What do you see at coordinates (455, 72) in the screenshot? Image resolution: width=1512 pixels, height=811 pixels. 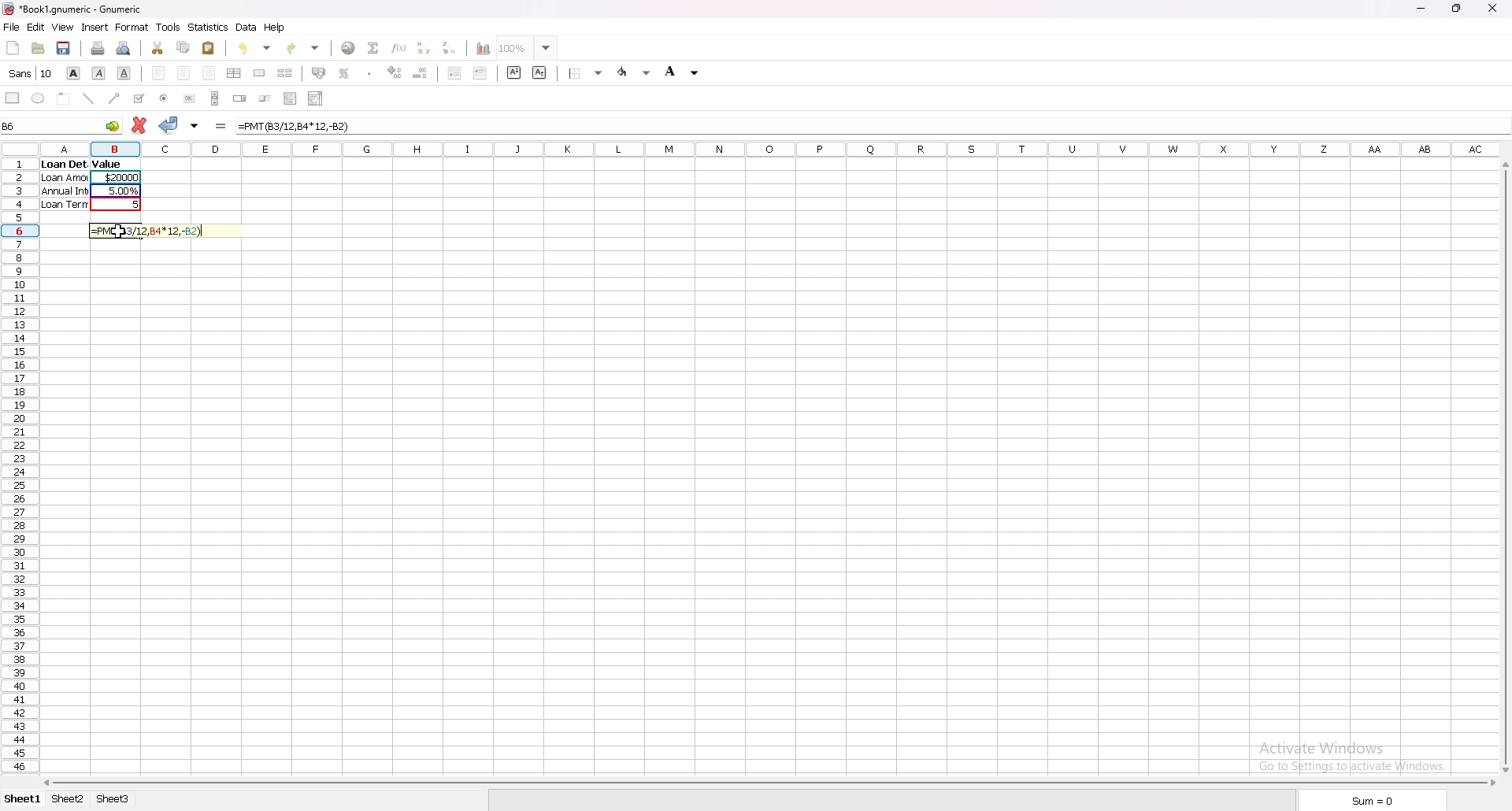 I see `decrease indent` at bounding box center [455, 72].